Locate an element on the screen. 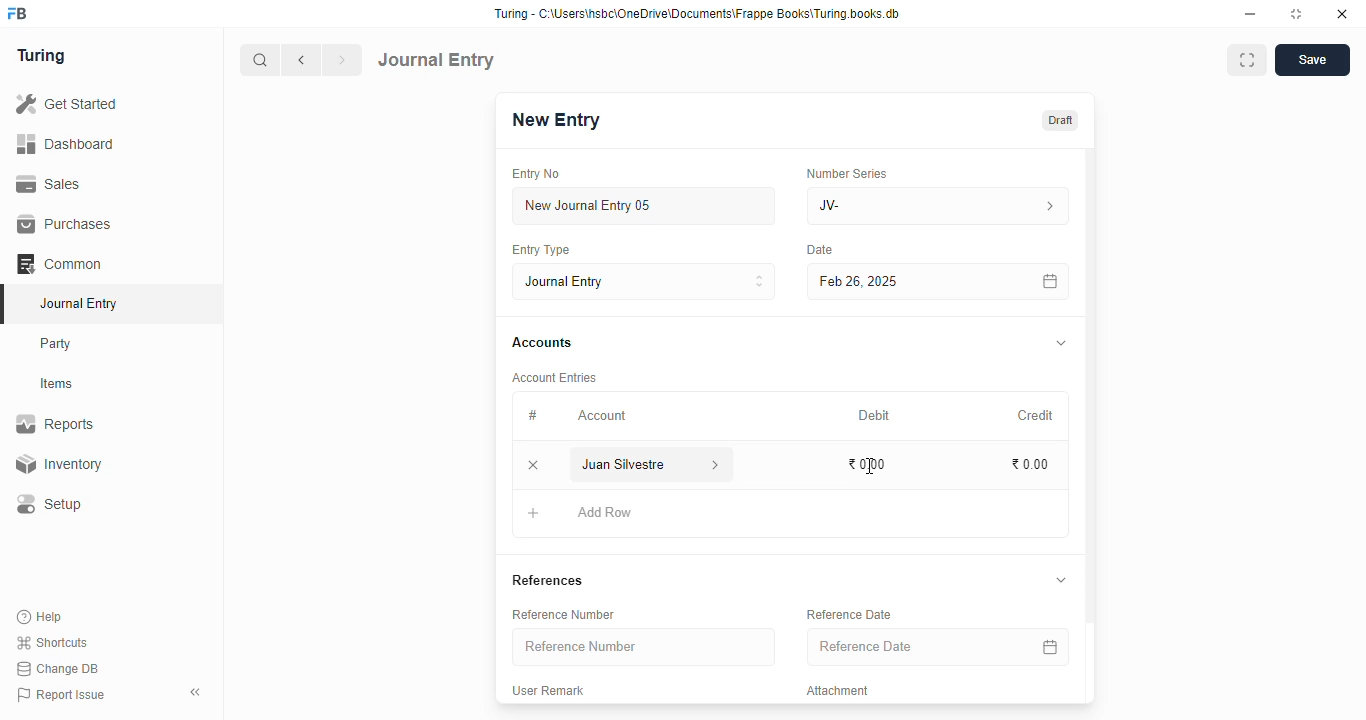 This screenshot has height=720, width=1366. new entry is located at coordinates (555, 120).